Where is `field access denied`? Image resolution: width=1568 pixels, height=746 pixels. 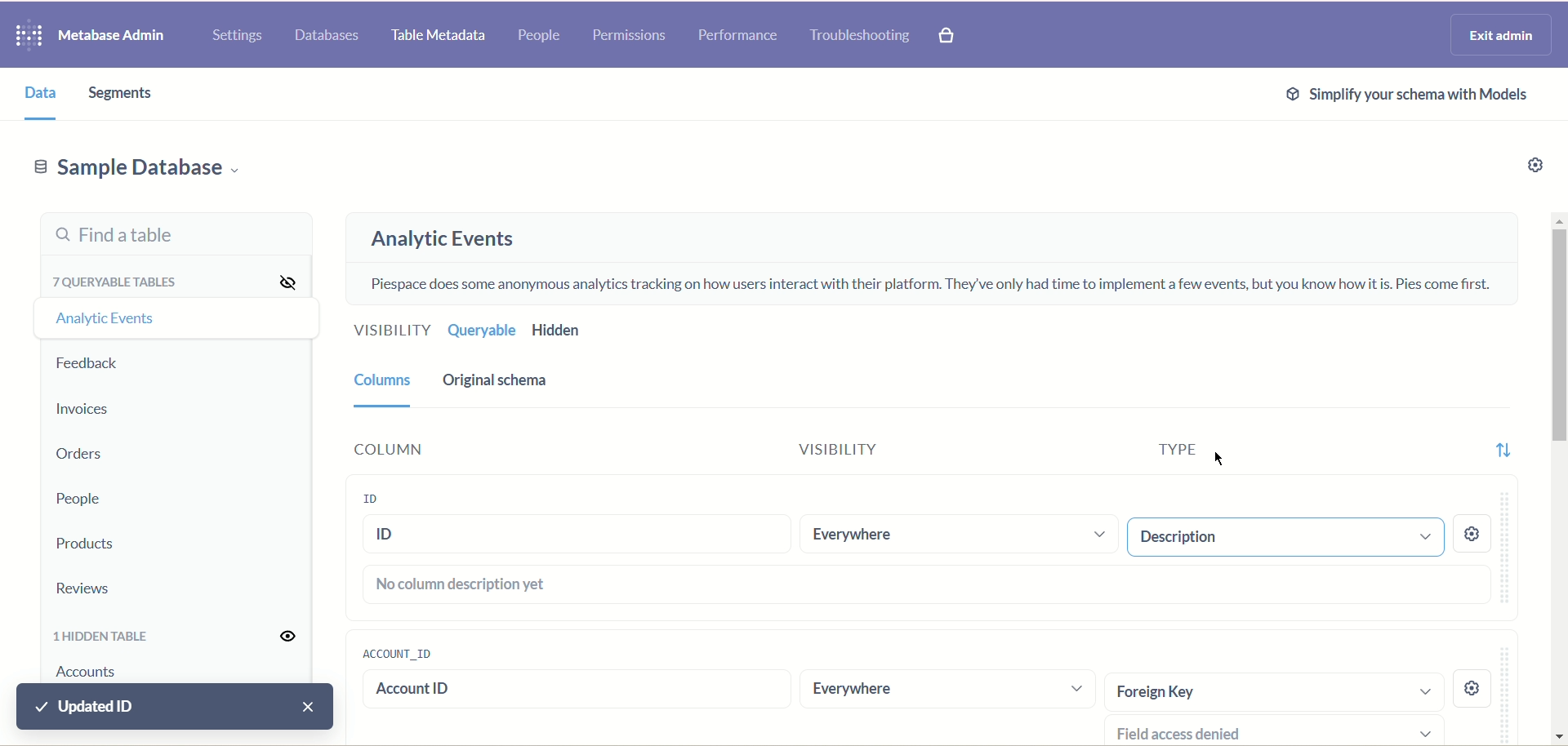
field access denied is located at coordinates (1281, 730).